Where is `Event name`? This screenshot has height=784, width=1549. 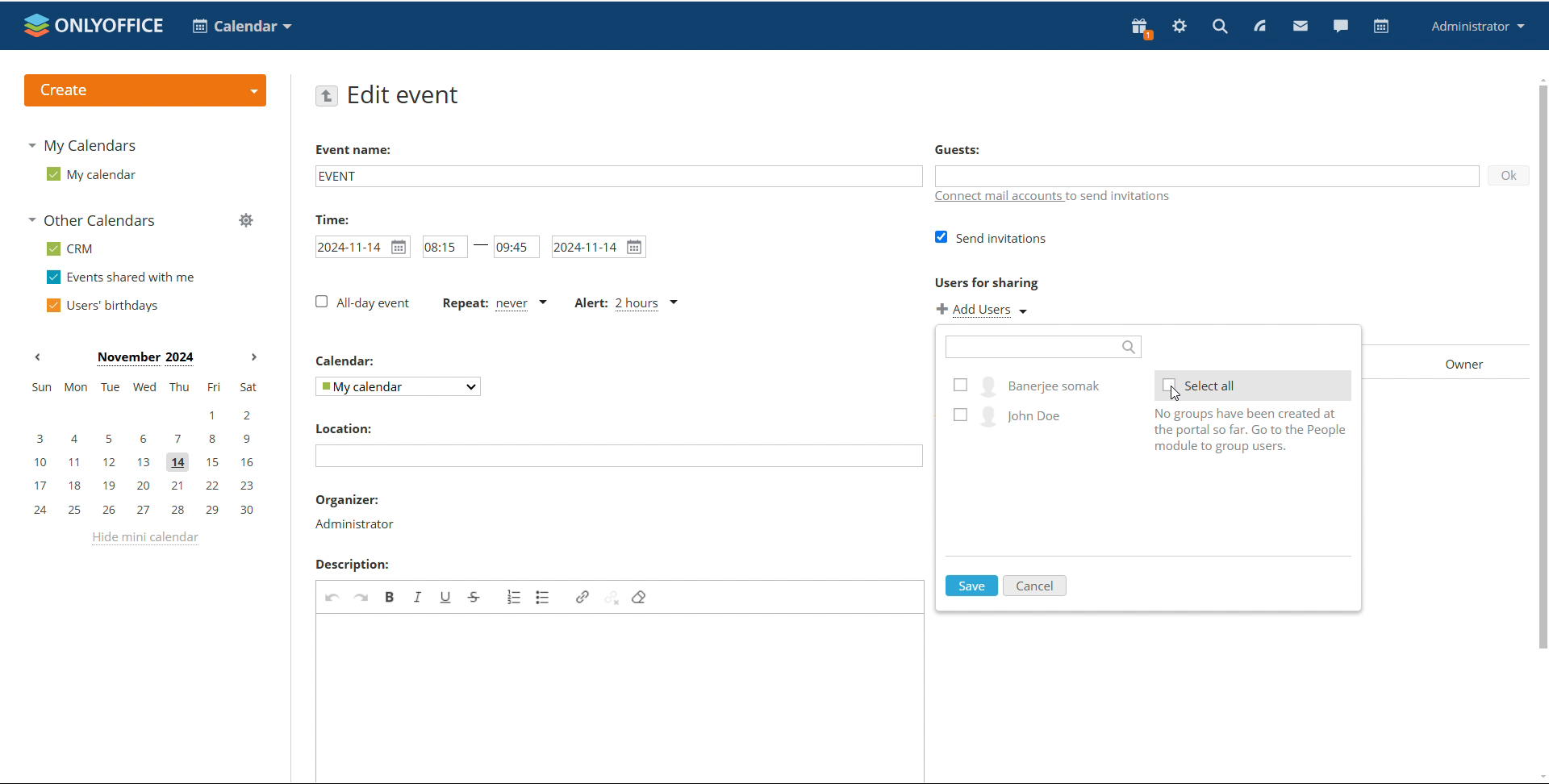
Event name is located at coordinates (353, 149).